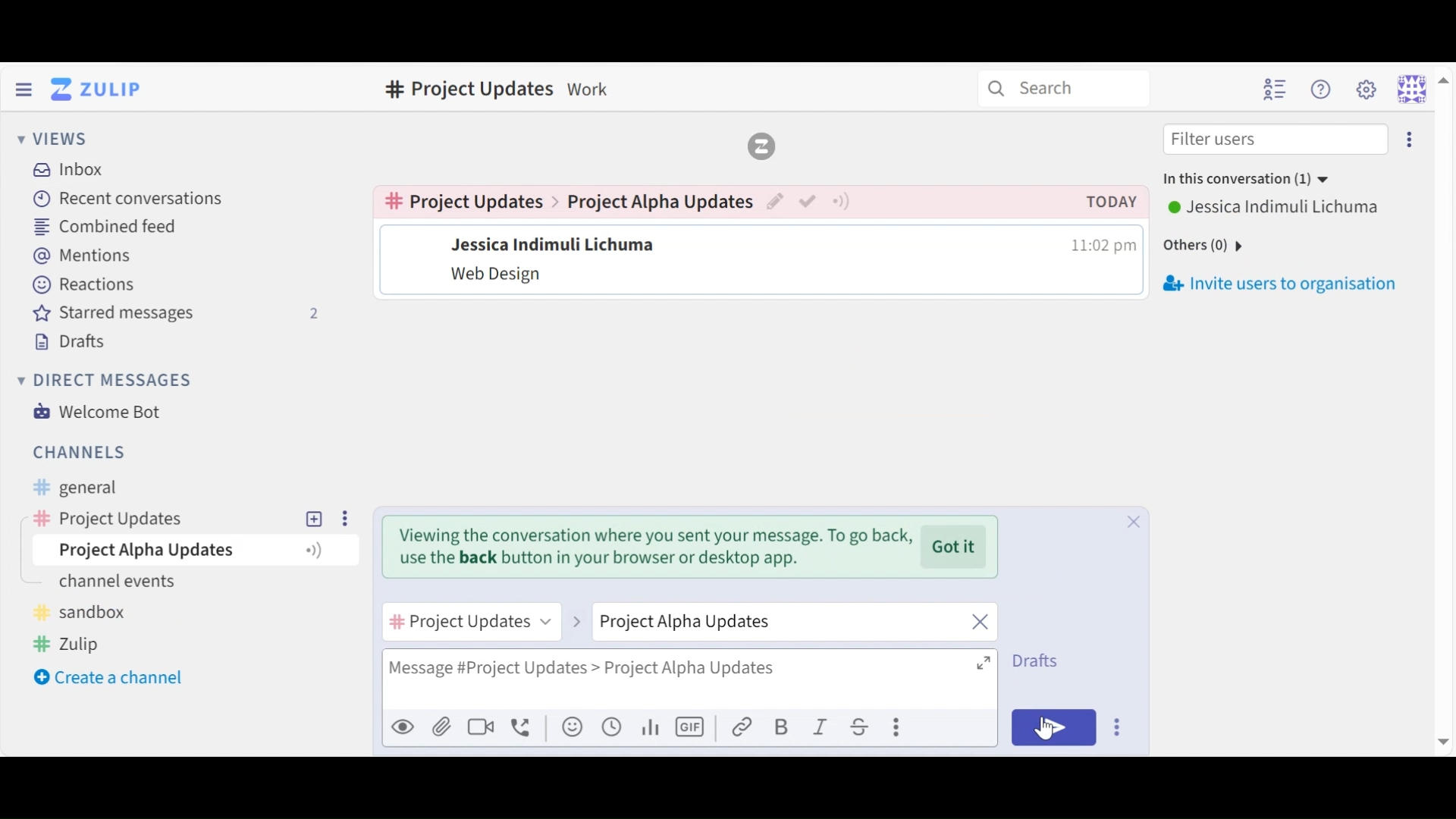 Image resolution: width=1456 pixels, height=819 pixels. Describe the element at coordinates (781, 726) in the screenshot. I see `Bold` at that location.